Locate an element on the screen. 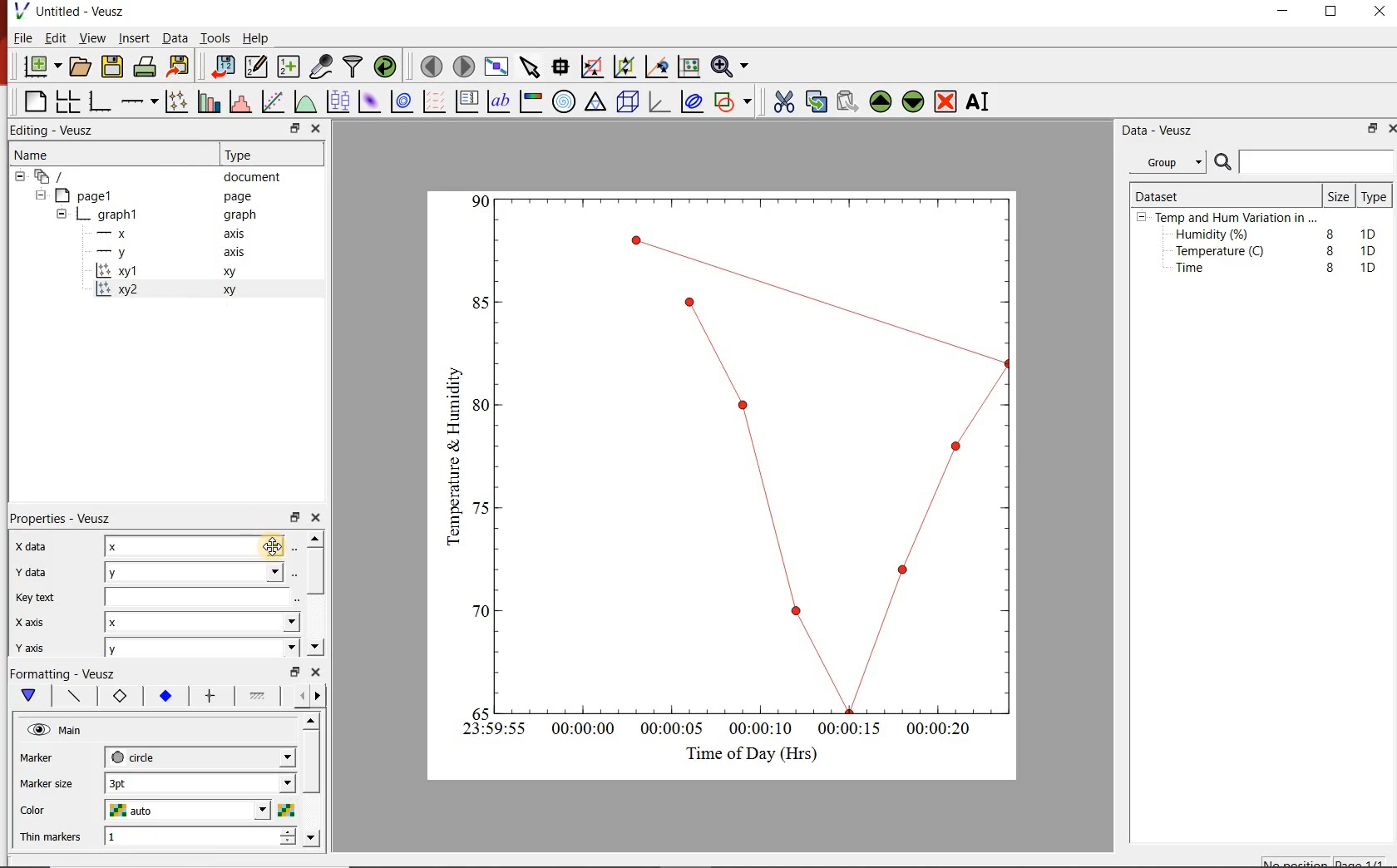  Rename the selected widget is located at coordinates (981, 101).